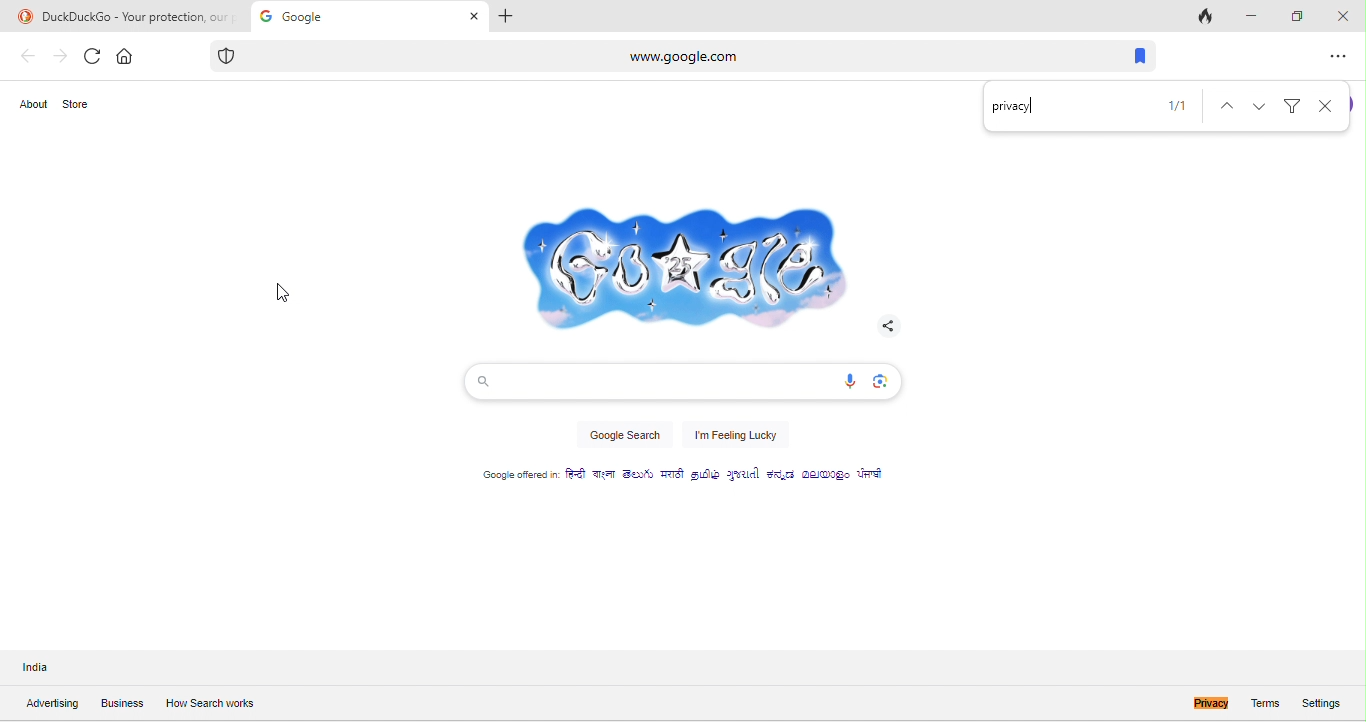 The height and width of the screenshot is (722, 1366). What do you see at coordinates (510, 16) in the screenshot?
I see `add tab` at bounding box center [510, 16].